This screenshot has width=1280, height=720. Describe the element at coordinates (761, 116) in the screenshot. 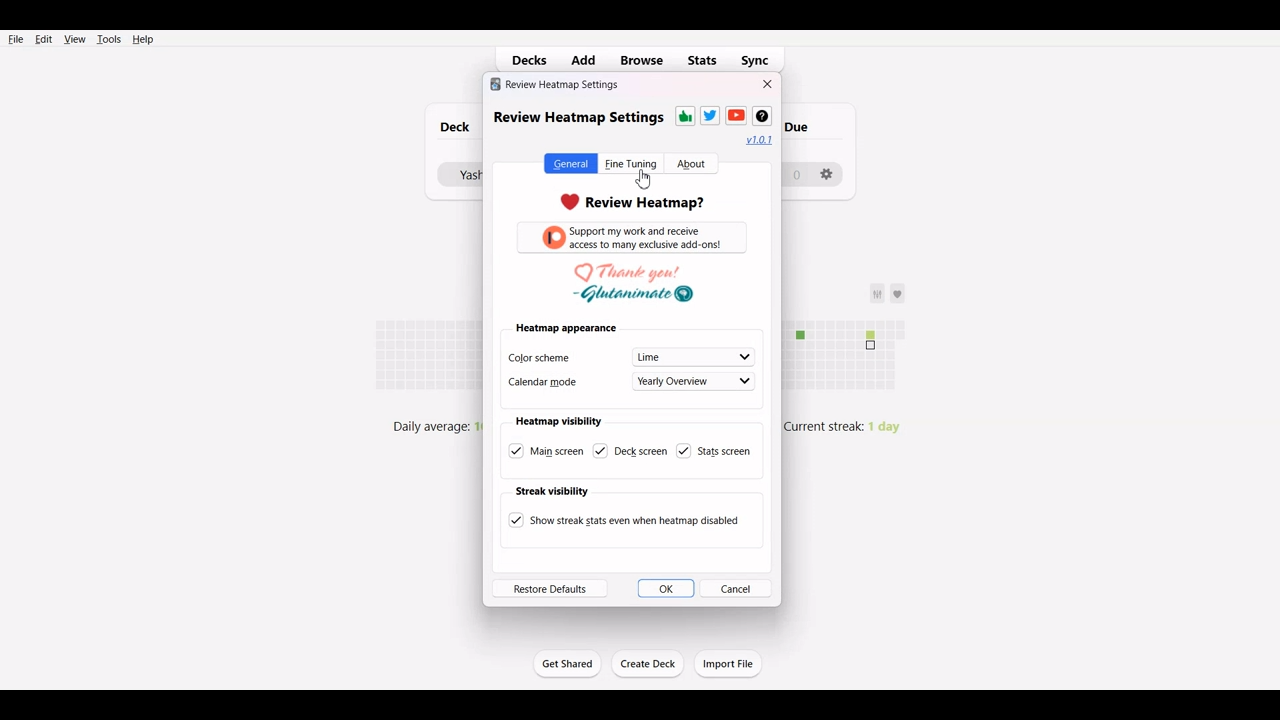

I see `Wikipedia` at that location.